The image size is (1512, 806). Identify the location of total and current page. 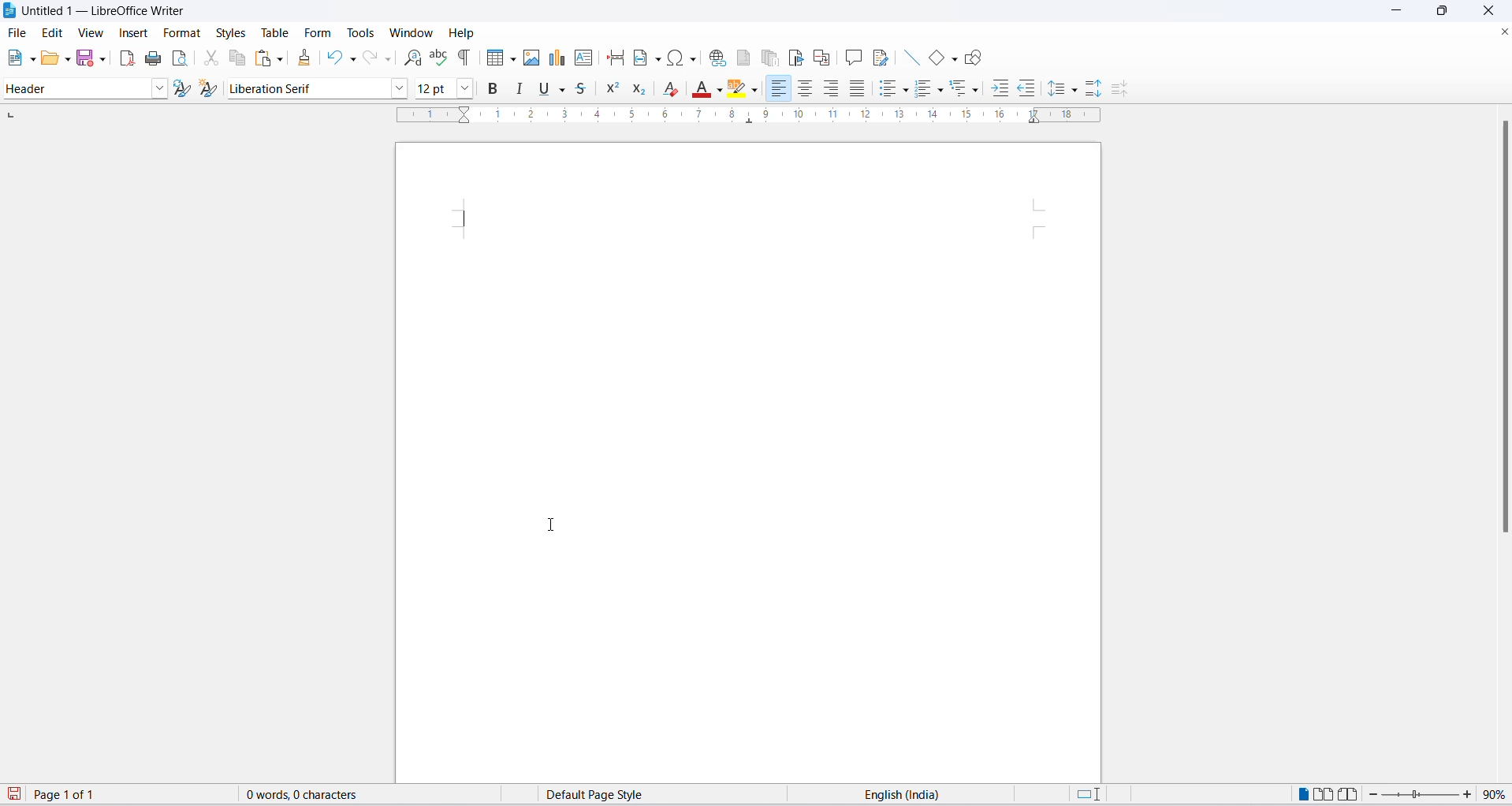
(76, 796).